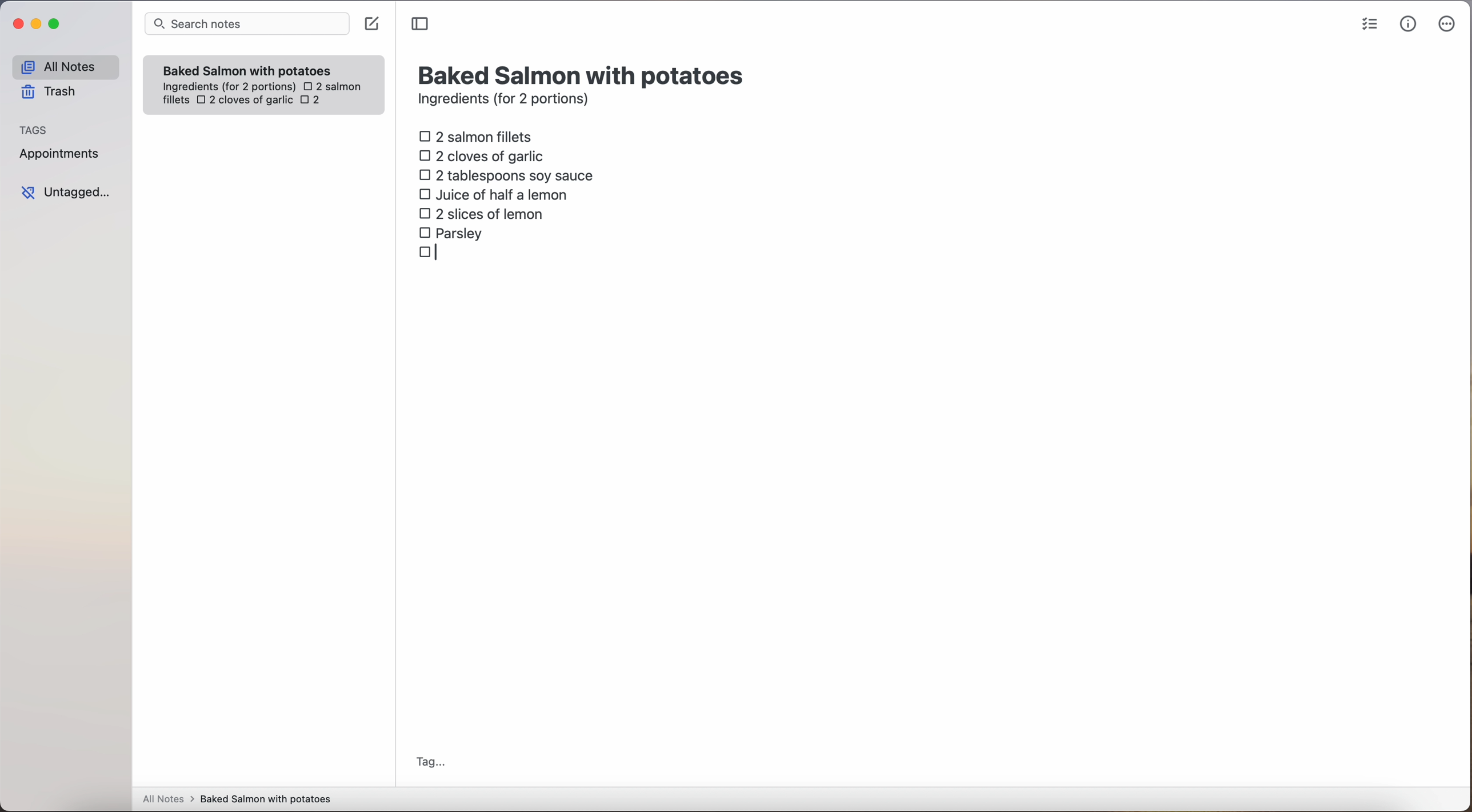 The image size is (1472, 812). I want to click on maximize, so click(56, 23).